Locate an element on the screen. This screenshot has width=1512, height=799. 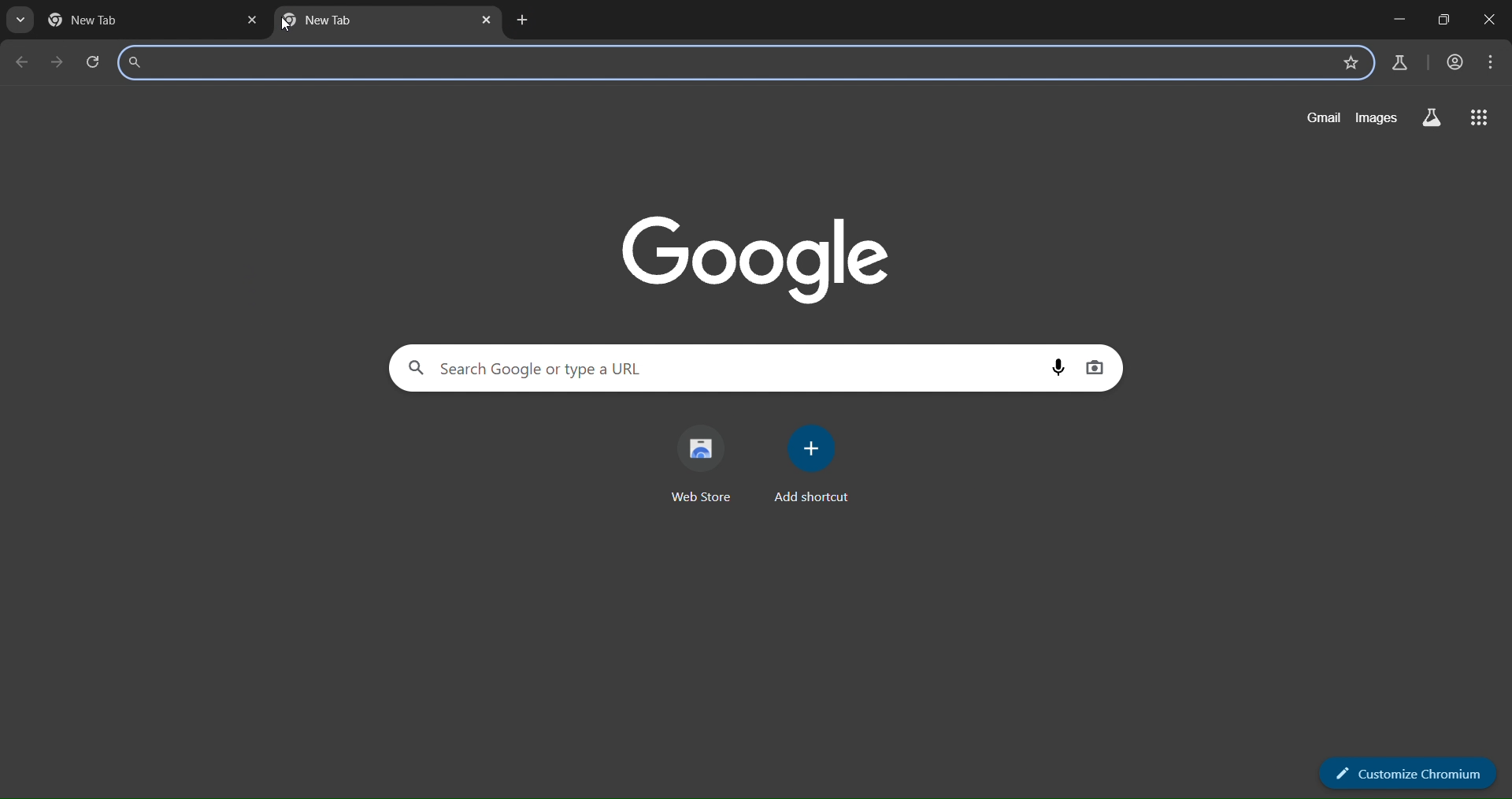
Search Google or type a URL is located at coordinates (724, 368).